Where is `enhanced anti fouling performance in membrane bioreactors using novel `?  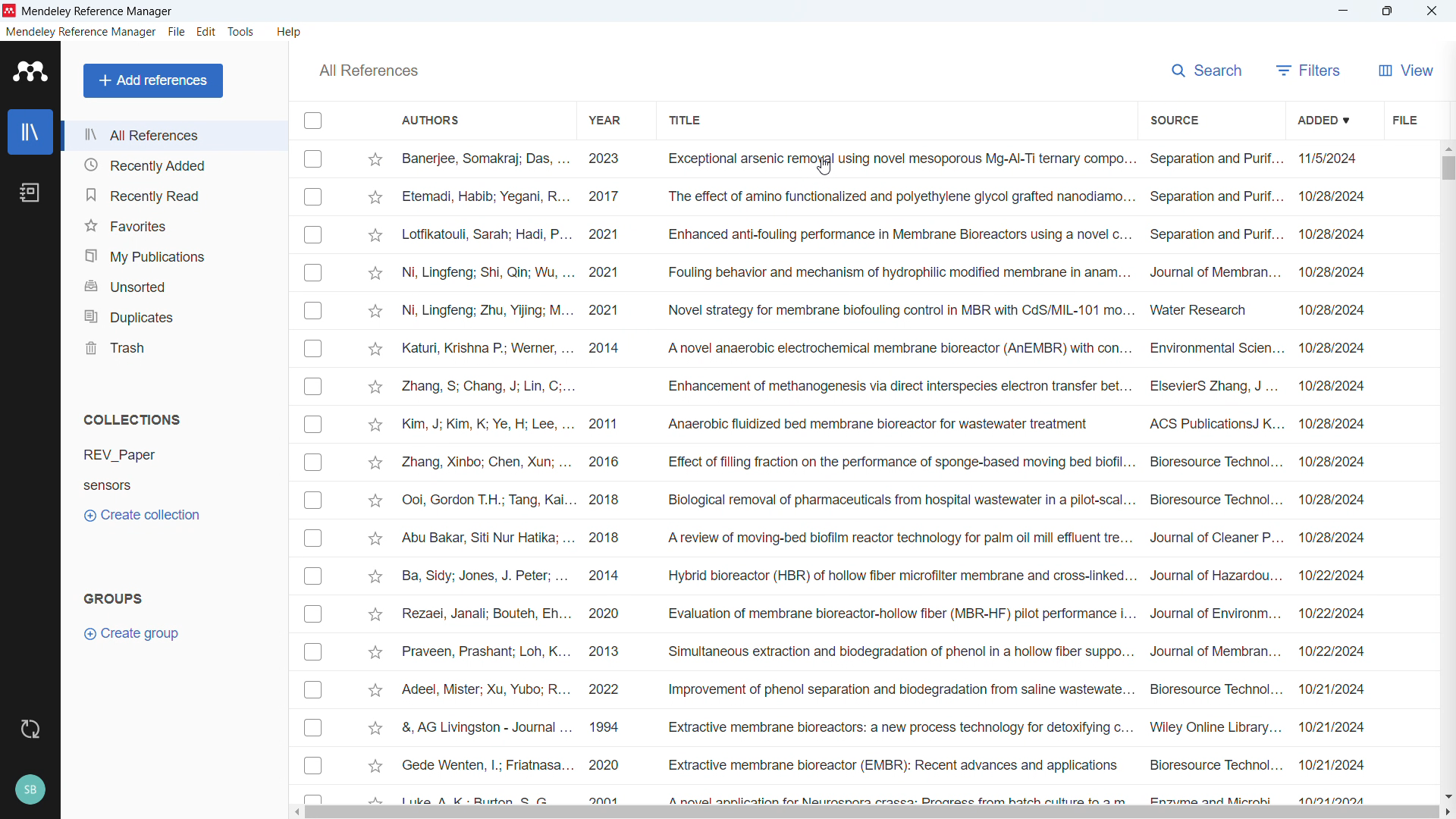
enhanced anti fouling performance in membrane bioreactors using novel  is located at coordinates (896, 234).